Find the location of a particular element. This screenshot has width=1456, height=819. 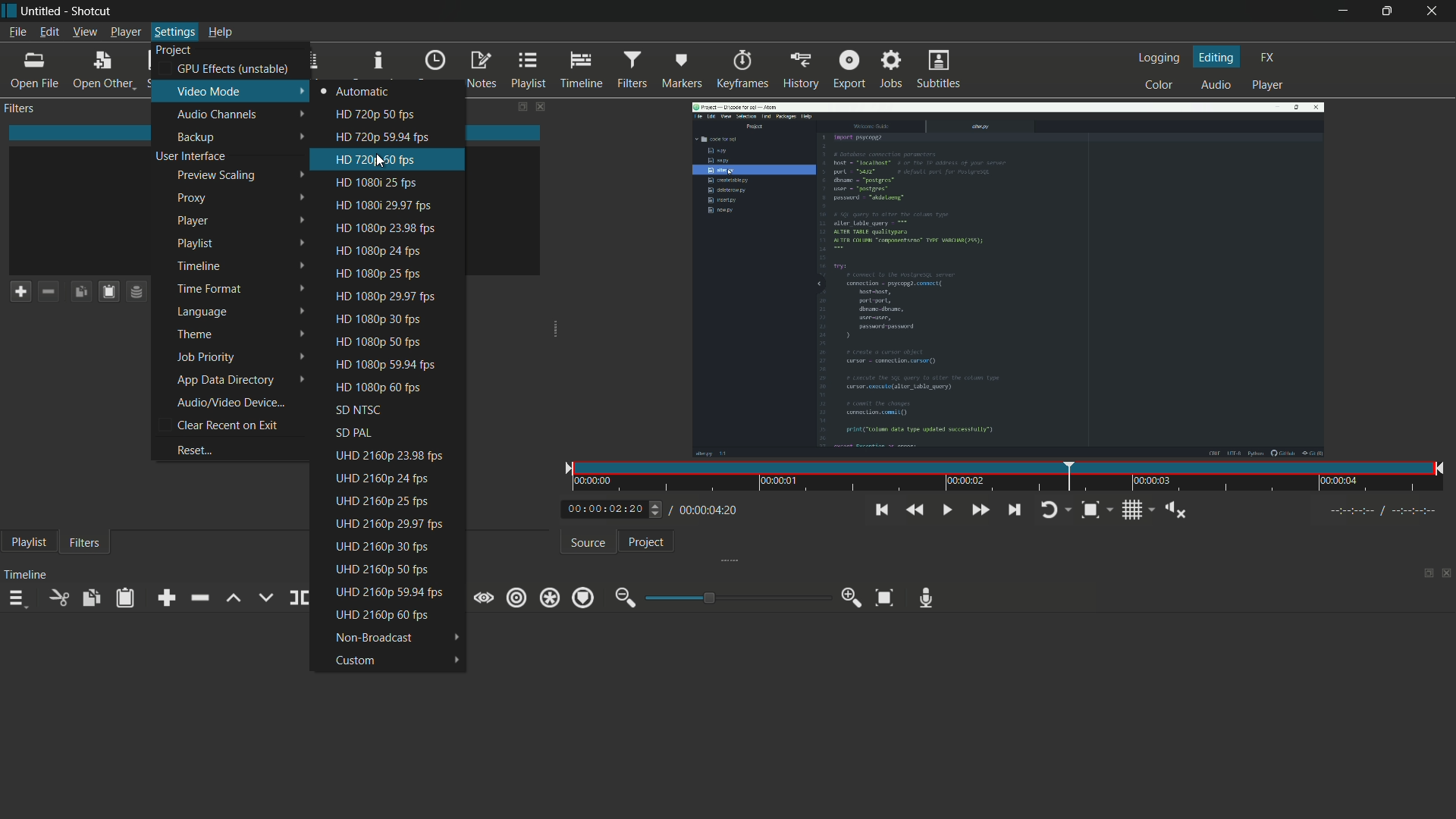

hd 1080p 29.97 fps is located at coordinates (395, 296).